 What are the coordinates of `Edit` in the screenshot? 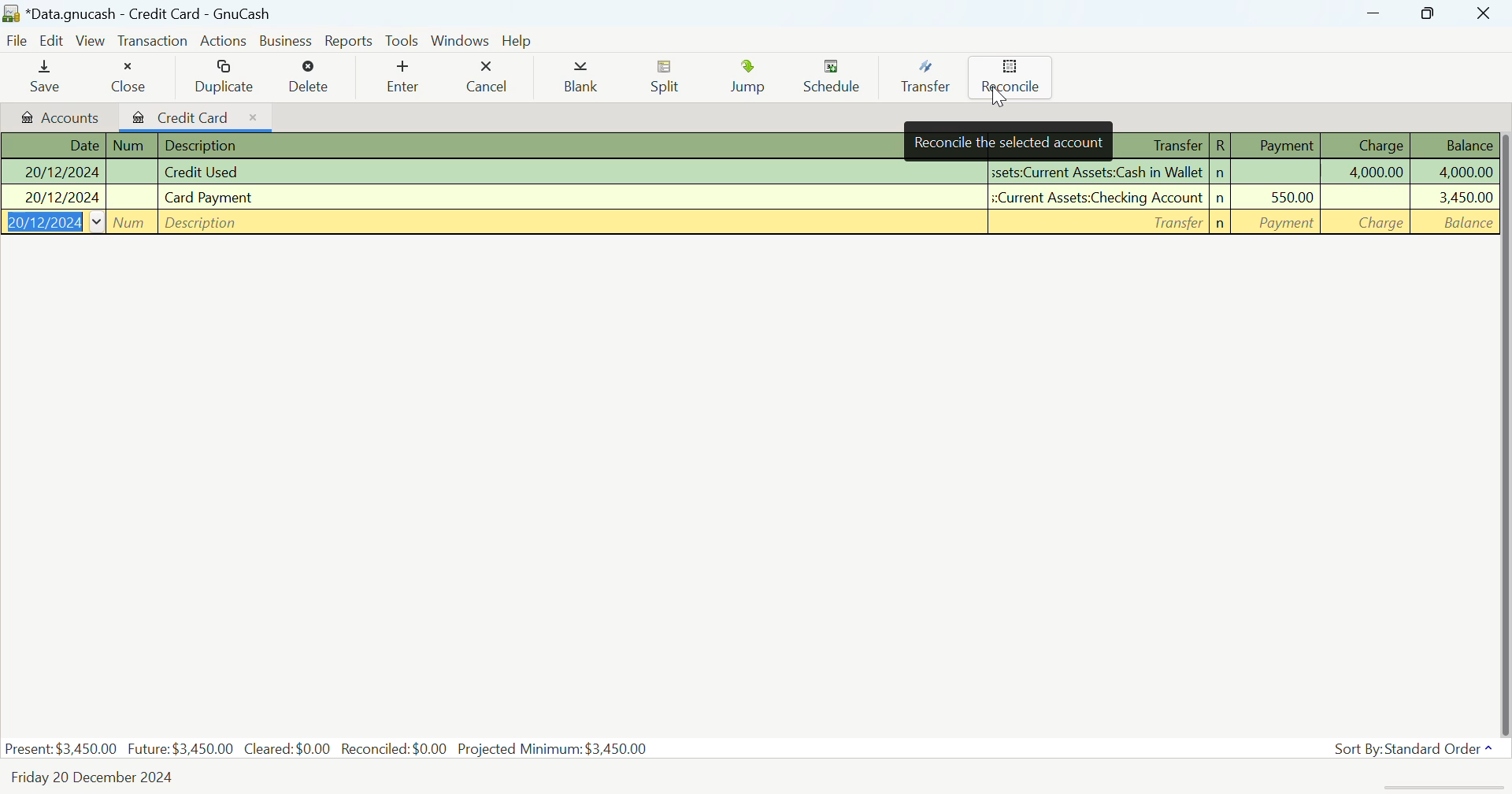 It's located at (50, 42).